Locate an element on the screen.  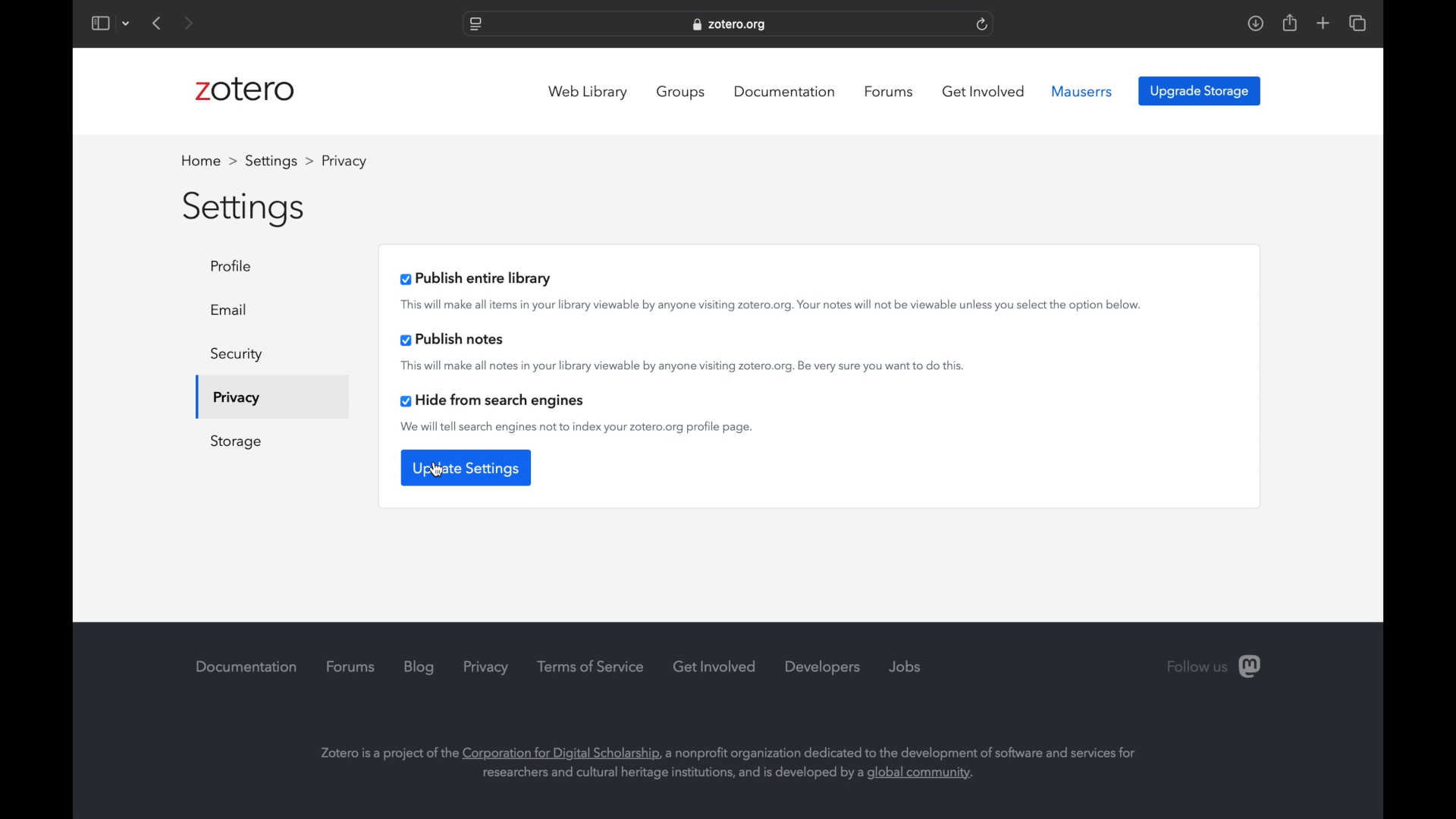
show sidebar is located at coordinates (99, 24).